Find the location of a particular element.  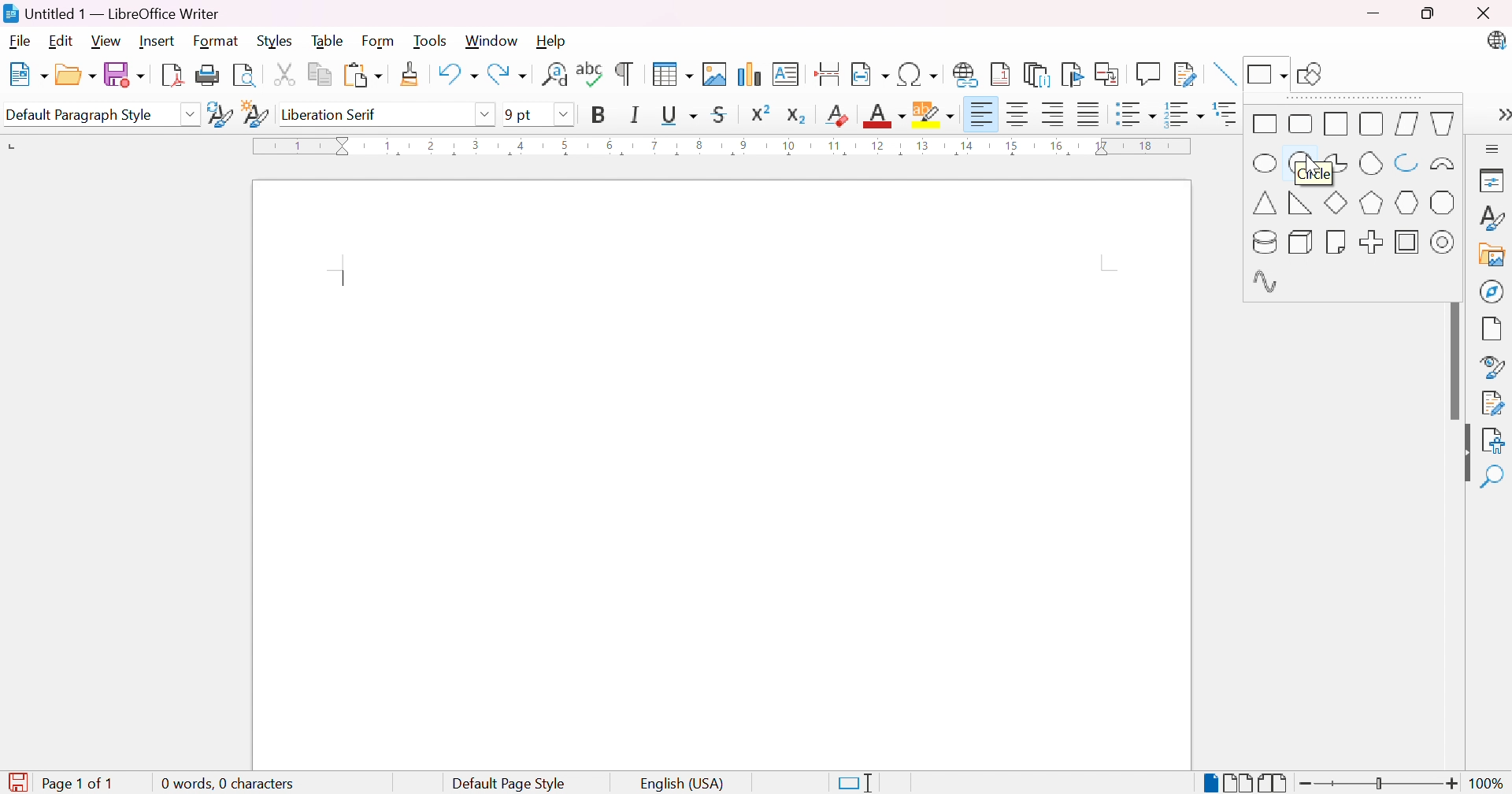

Square is located at coordinates (1335, 124).